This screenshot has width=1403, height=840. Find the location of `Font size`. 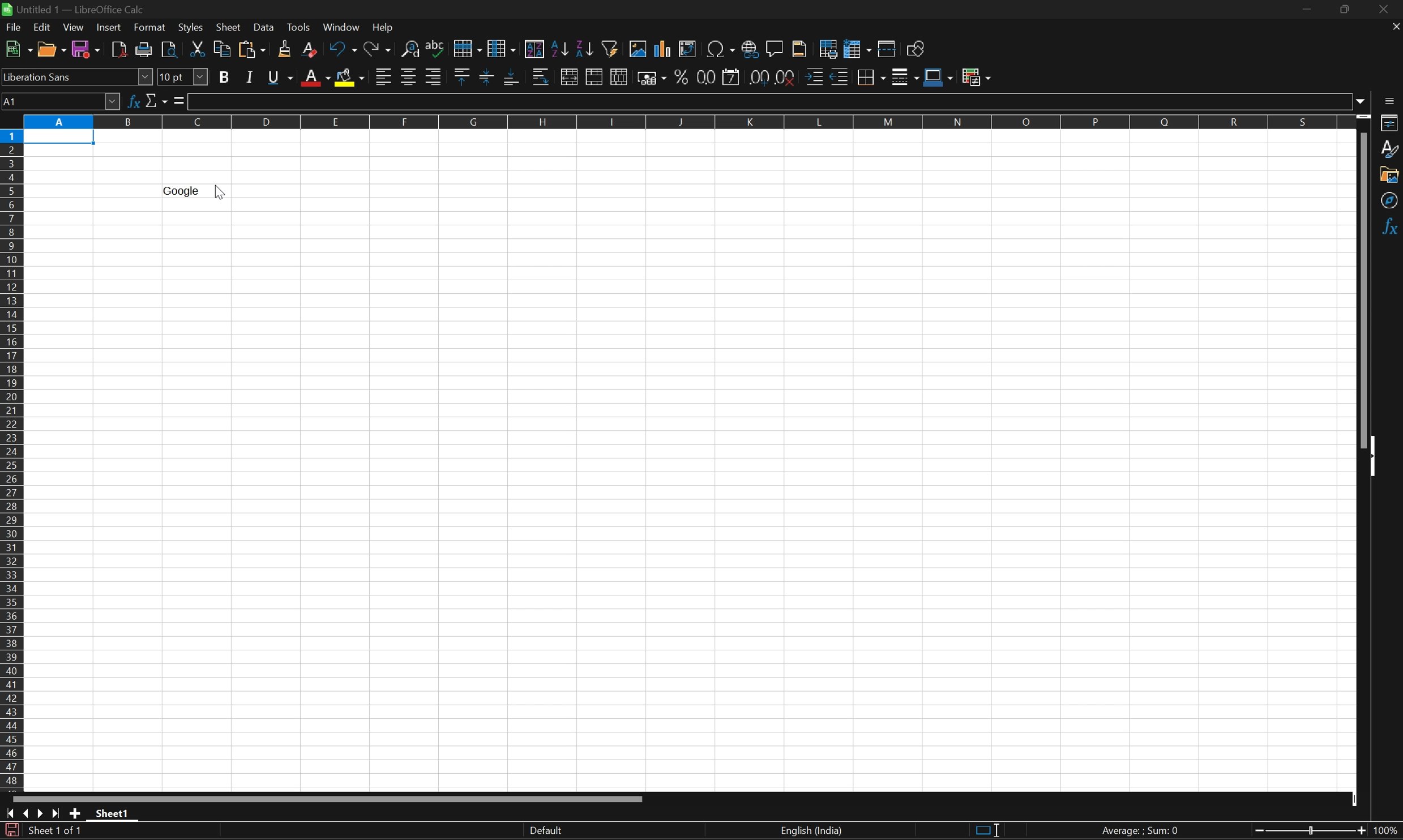

Font size is located at coordinates (184, 75).